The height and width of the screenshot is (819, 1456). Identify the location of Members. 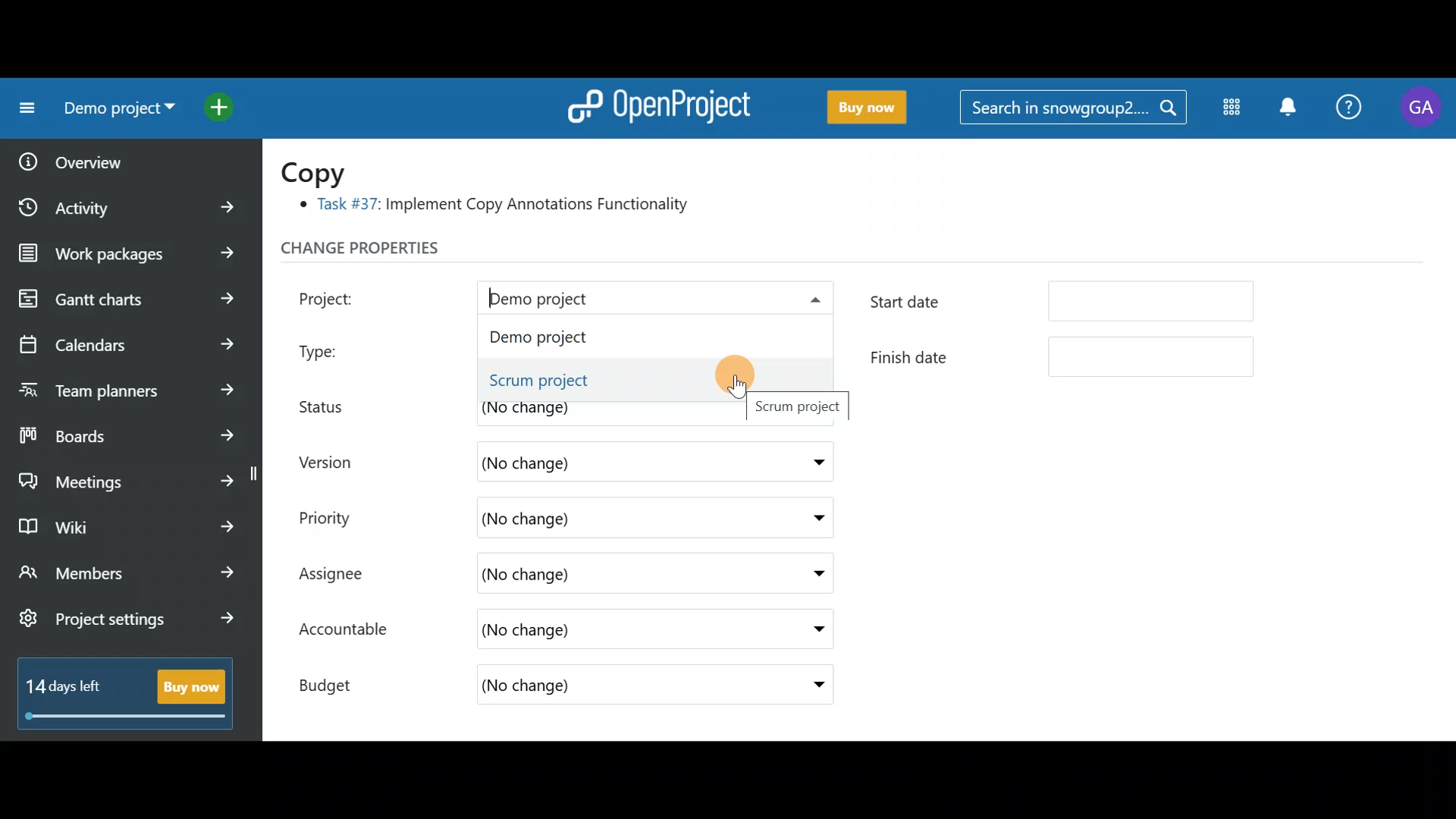
(127, 575).